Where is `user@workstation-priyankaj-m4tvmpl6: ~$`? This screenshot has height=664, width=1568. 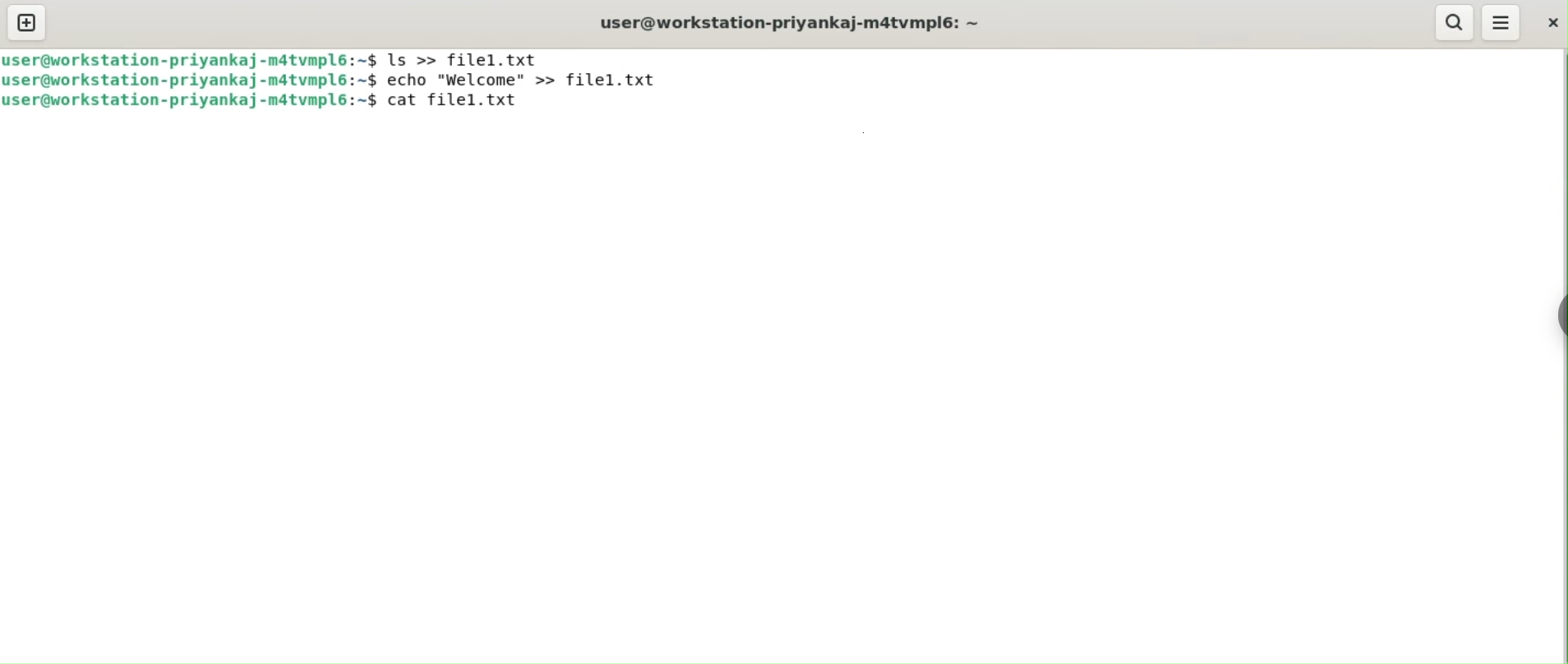
user@workstation-priyankaj-m4tvmpl6: ~$ is located at coordinates (184, 59).